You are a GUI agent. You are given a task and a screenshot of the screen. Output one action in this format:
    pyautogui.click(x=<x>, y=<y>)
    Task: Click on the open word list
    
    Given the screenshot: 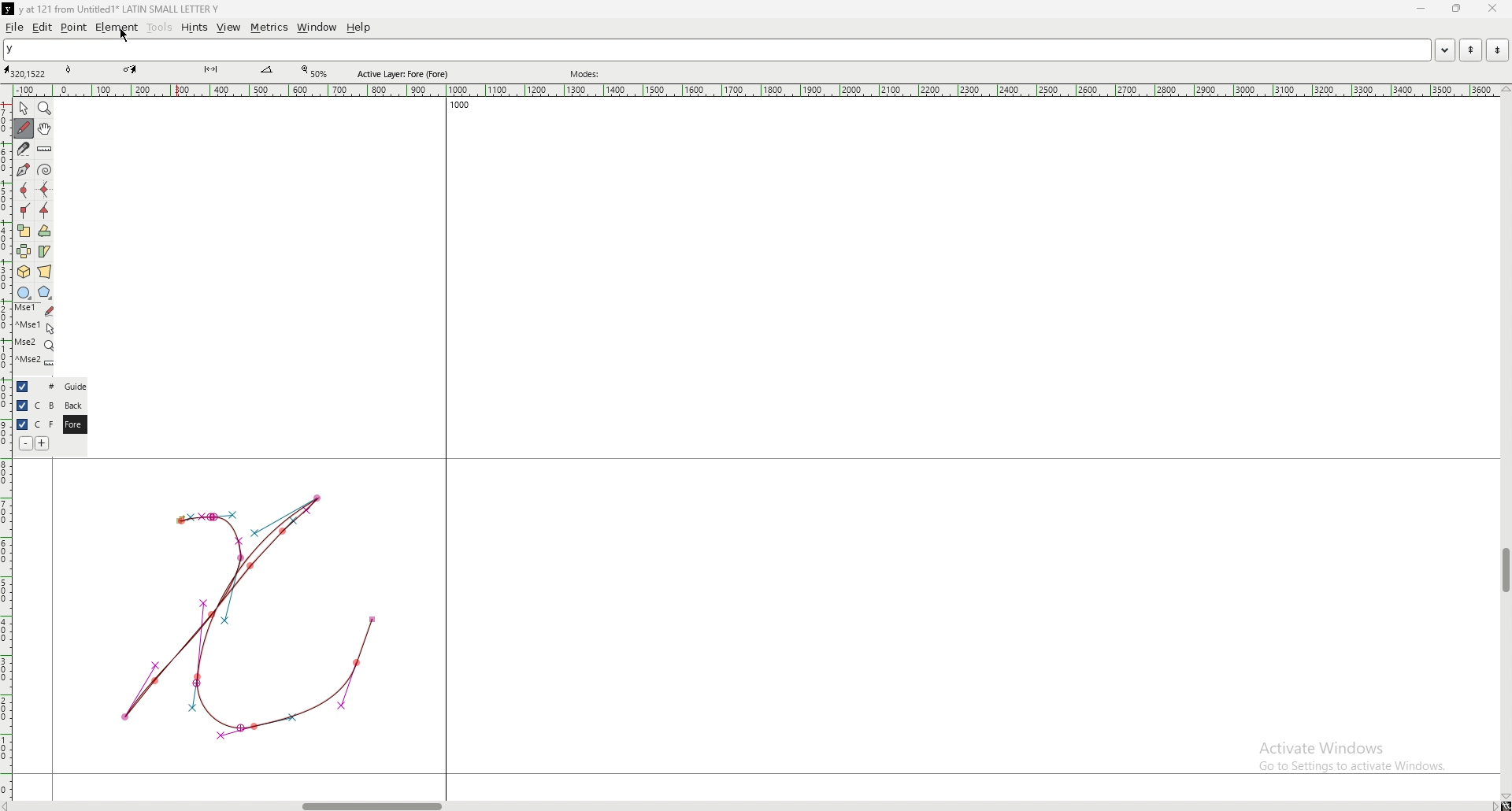 What is the action you would take?
    pyautogui.click(x=1444, y=50)
    